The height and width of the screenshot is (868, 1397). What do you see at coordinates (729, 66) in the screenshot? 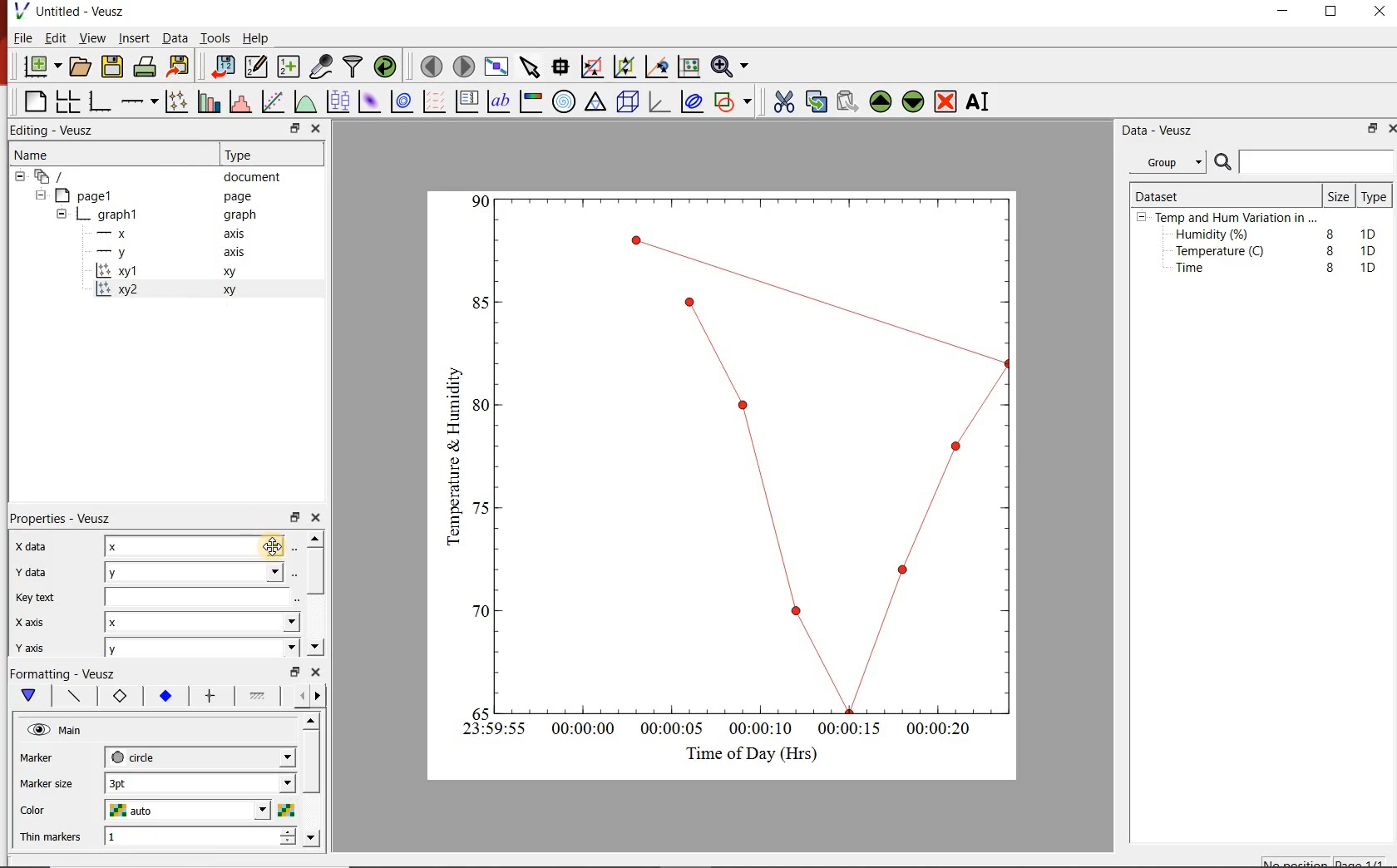
I see `Zoom functions menu` at bounding box center [729, 66].